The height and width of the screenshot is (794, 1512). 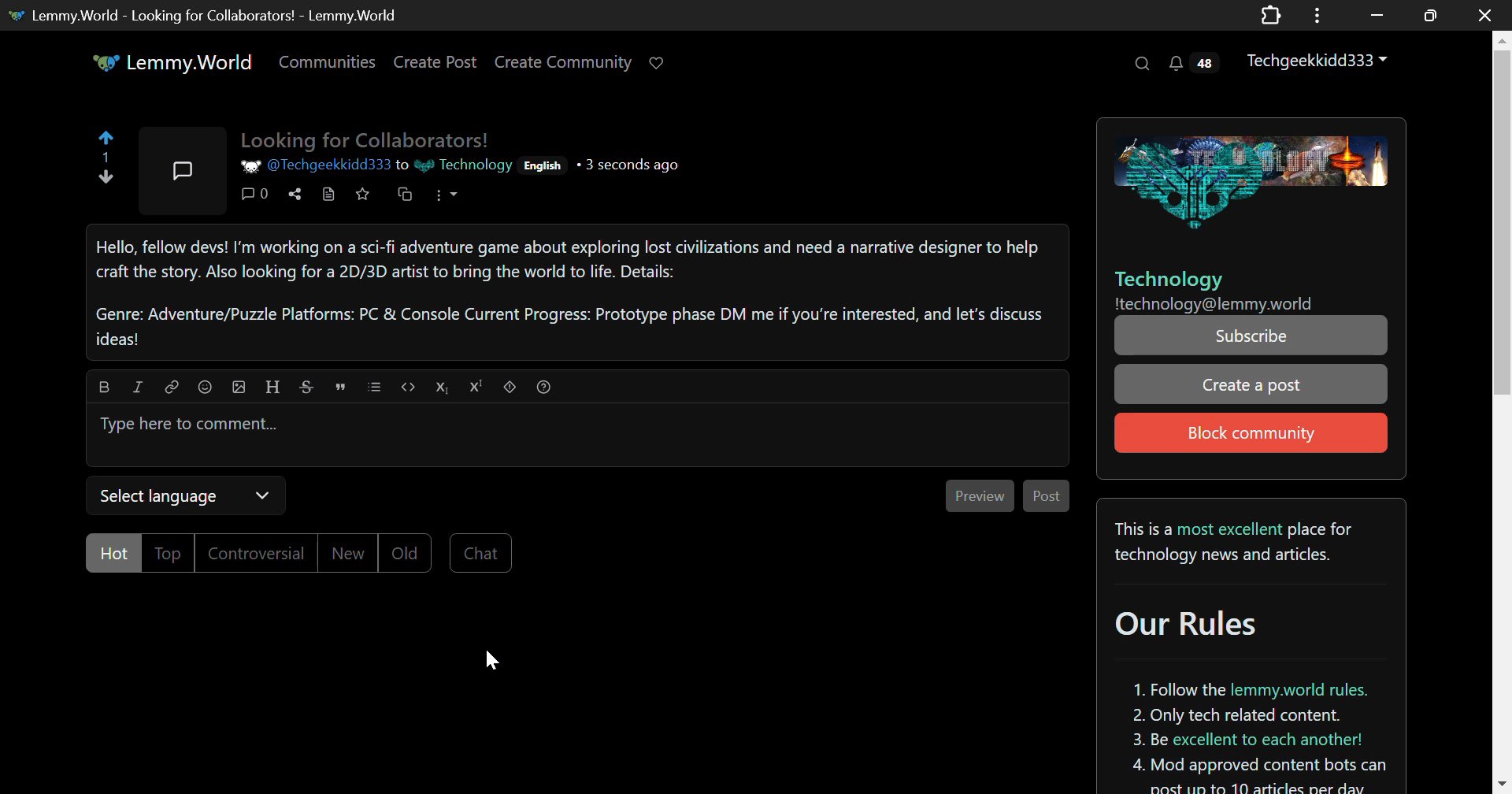 I want to click on superscript, so click(x=474, y=386).